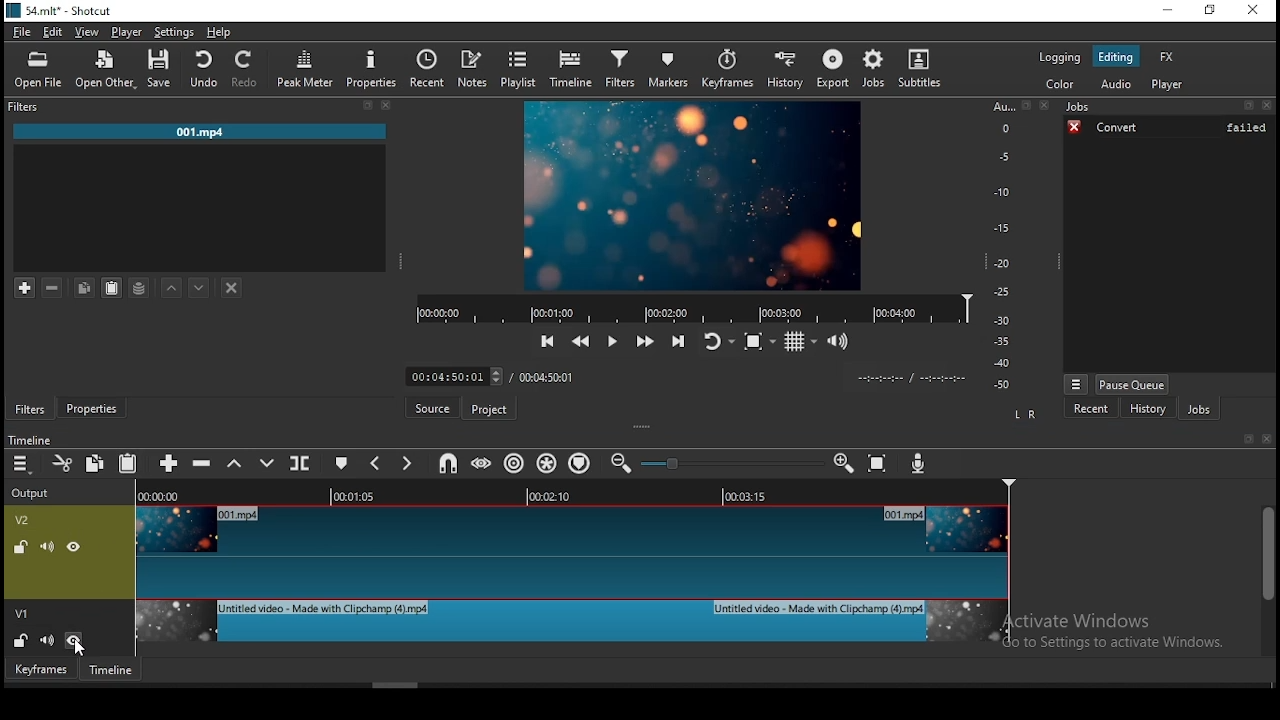  What do you see at coordinates (30, 409) in the screenshot?
I see `filters` at bounding box center [30, 409].